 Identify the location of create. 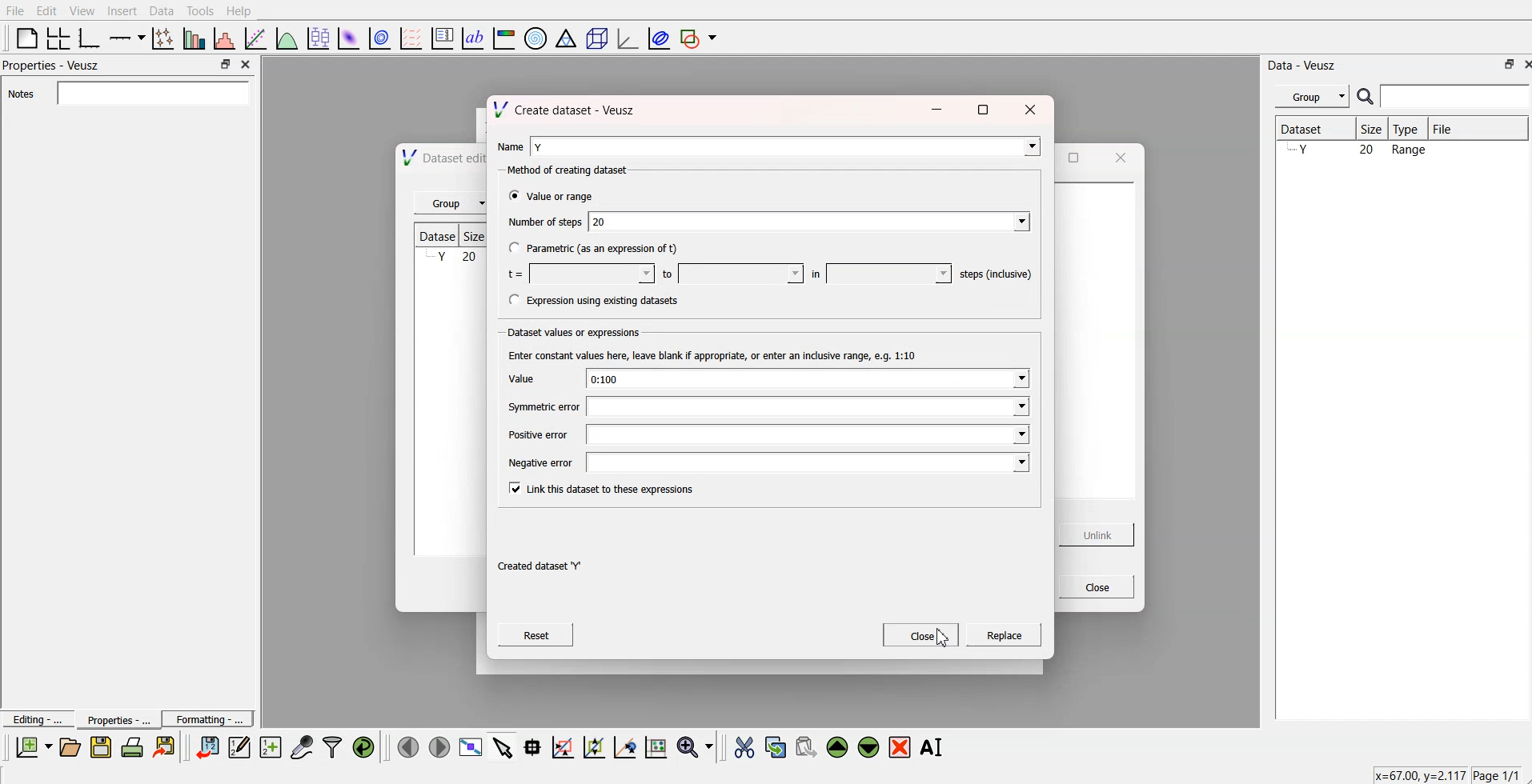
(1001, 637).